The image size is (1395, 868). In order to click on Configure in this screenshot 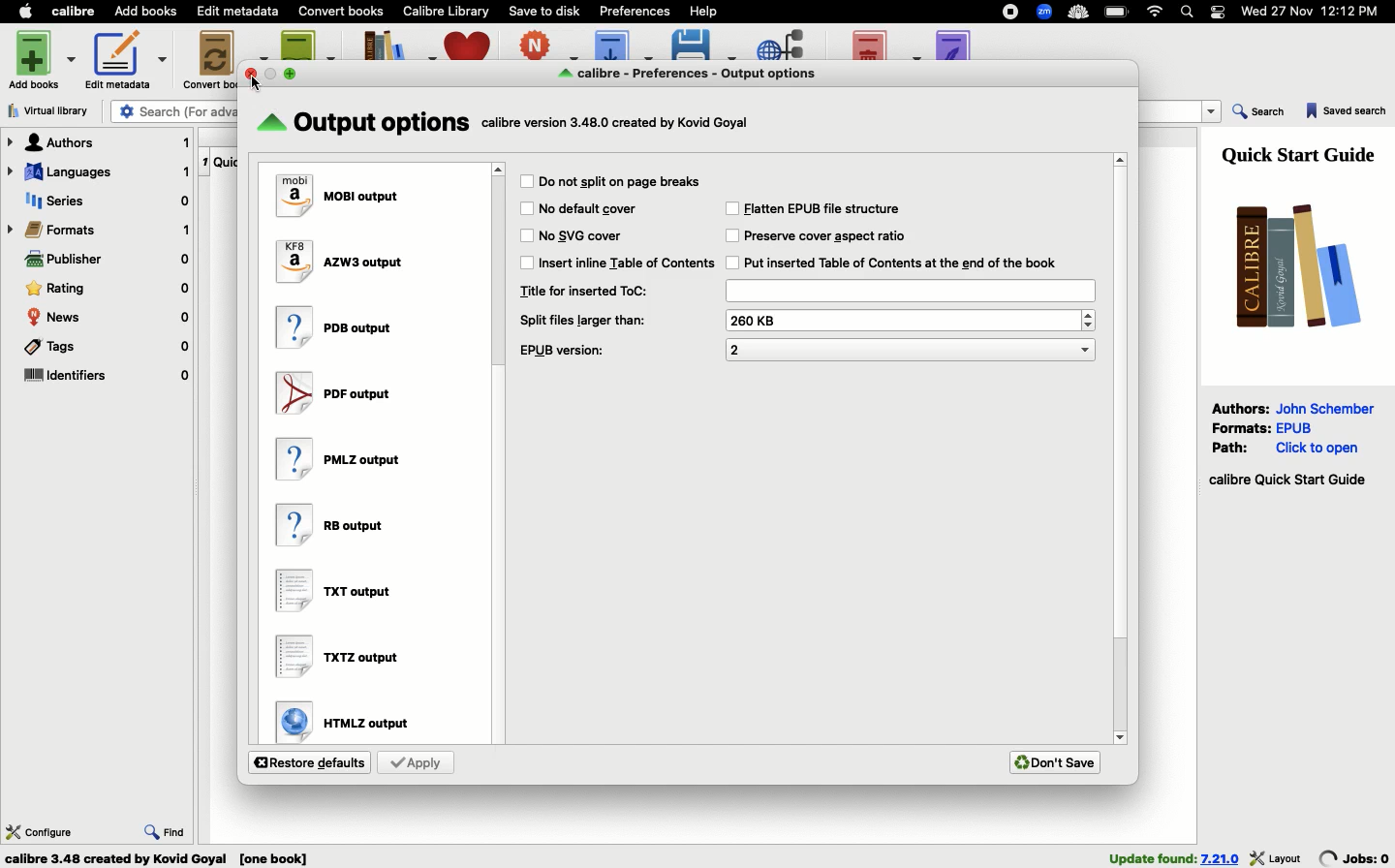, I will do `click(40, 830)`.